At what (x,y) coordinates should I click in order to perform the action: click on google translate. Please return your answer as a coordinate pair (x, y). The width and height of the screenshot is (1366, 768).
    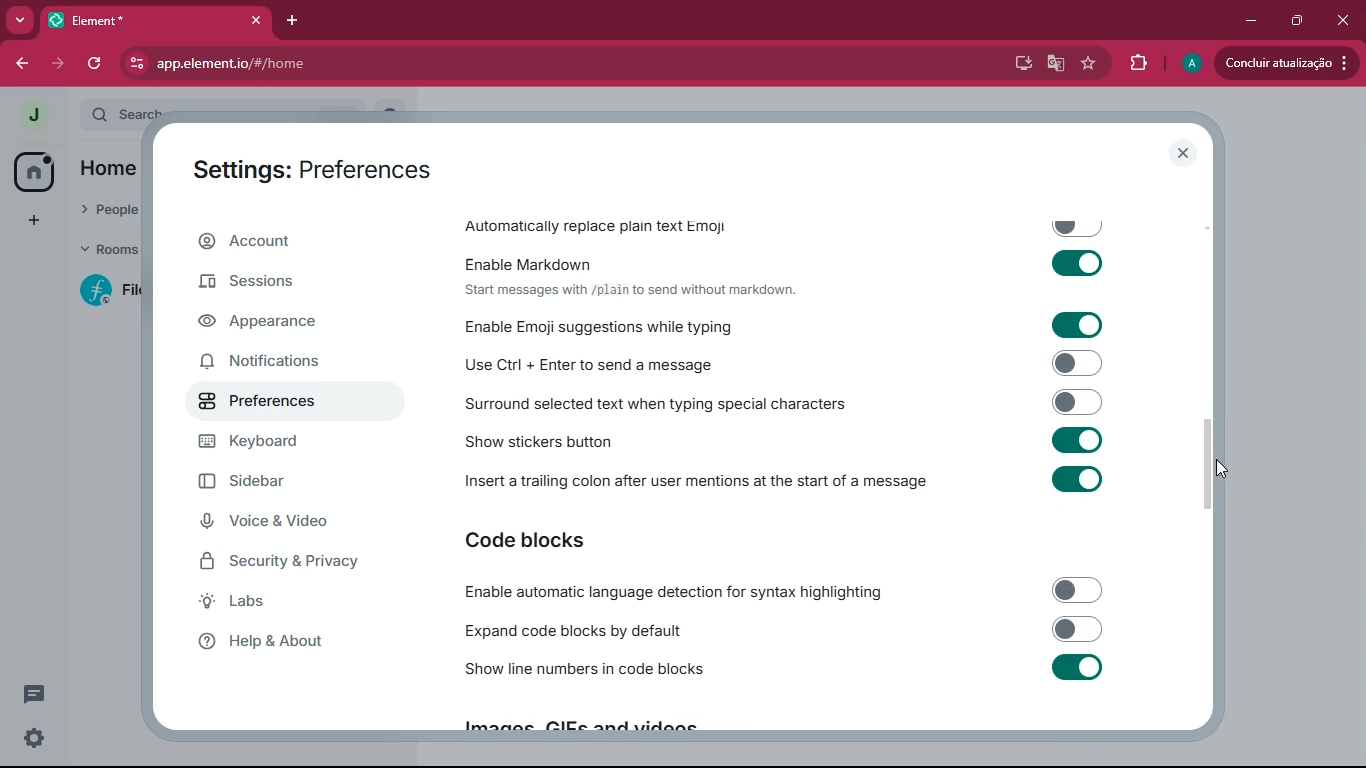
    Looking at the image, I should click on (1056, 63).